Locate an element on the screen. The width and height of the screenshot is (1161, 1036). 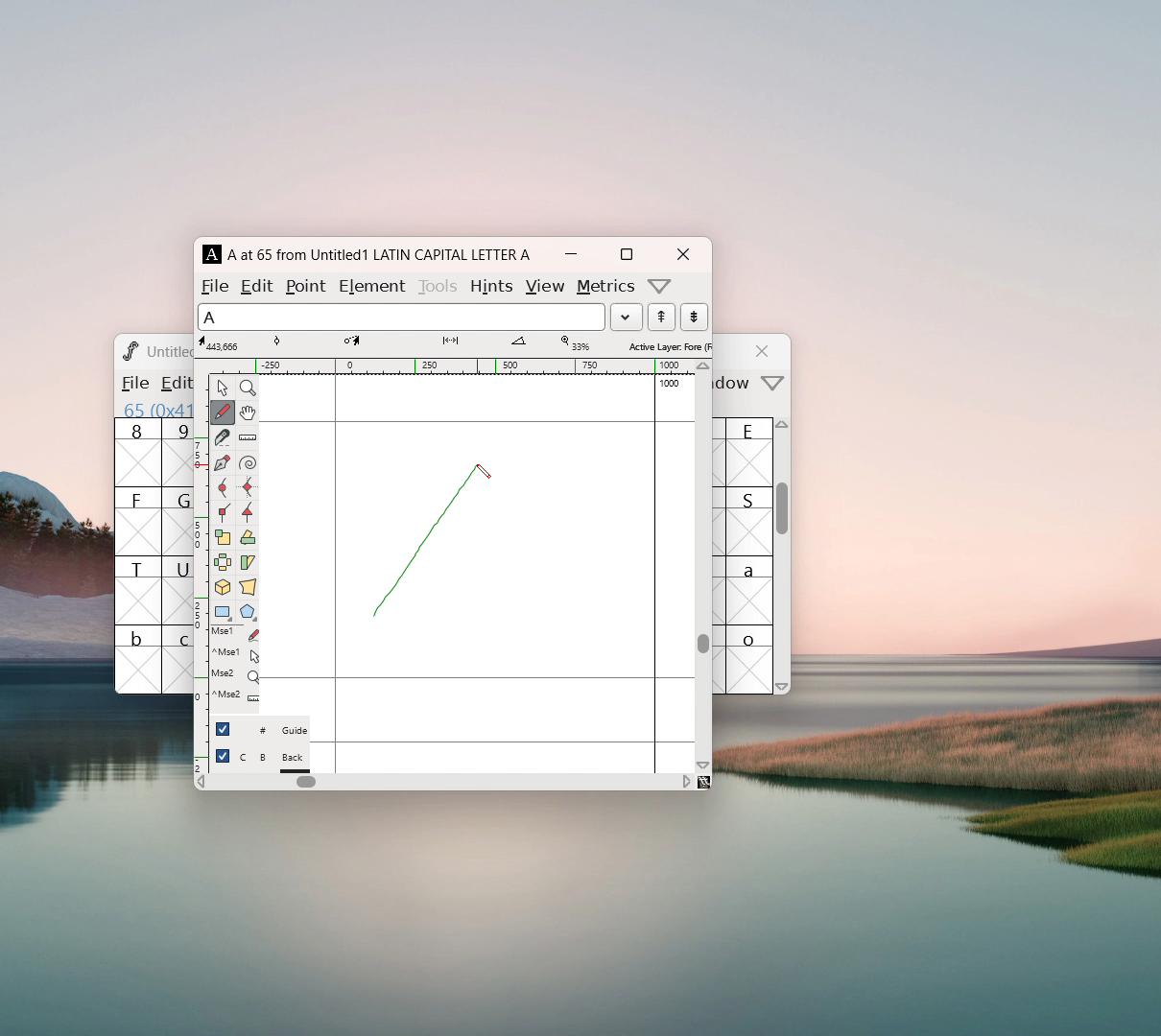
cursor coordinates is located at coordinates (222, 343).